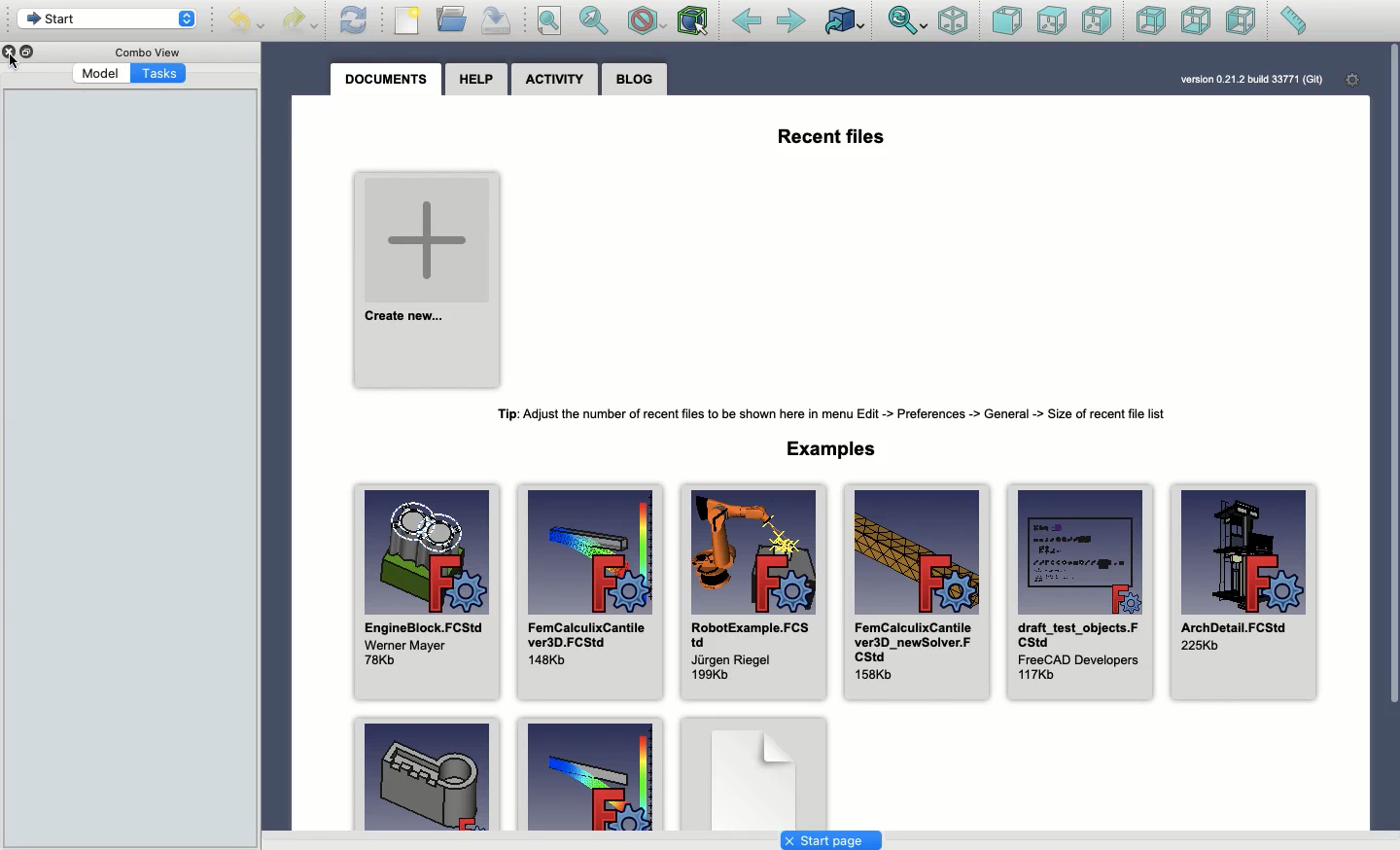 This screenshot has height=850, width=1400. I want to click on Left, so click(1241, 21).